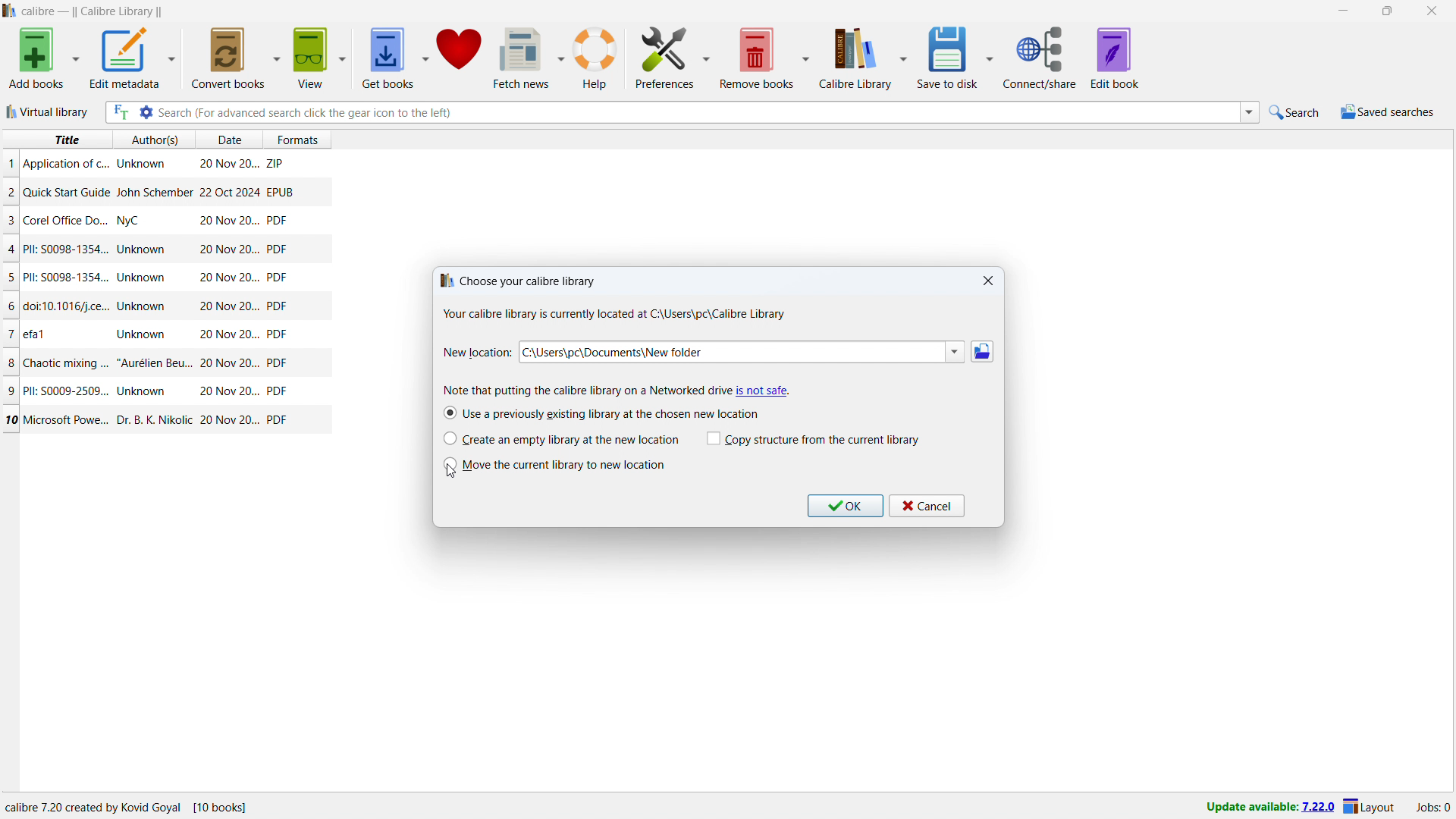 This screenshot has width=1456, height=819. Describe the element at coordinates (950, 57) in the screenshot. I see `save to disk` at that location.